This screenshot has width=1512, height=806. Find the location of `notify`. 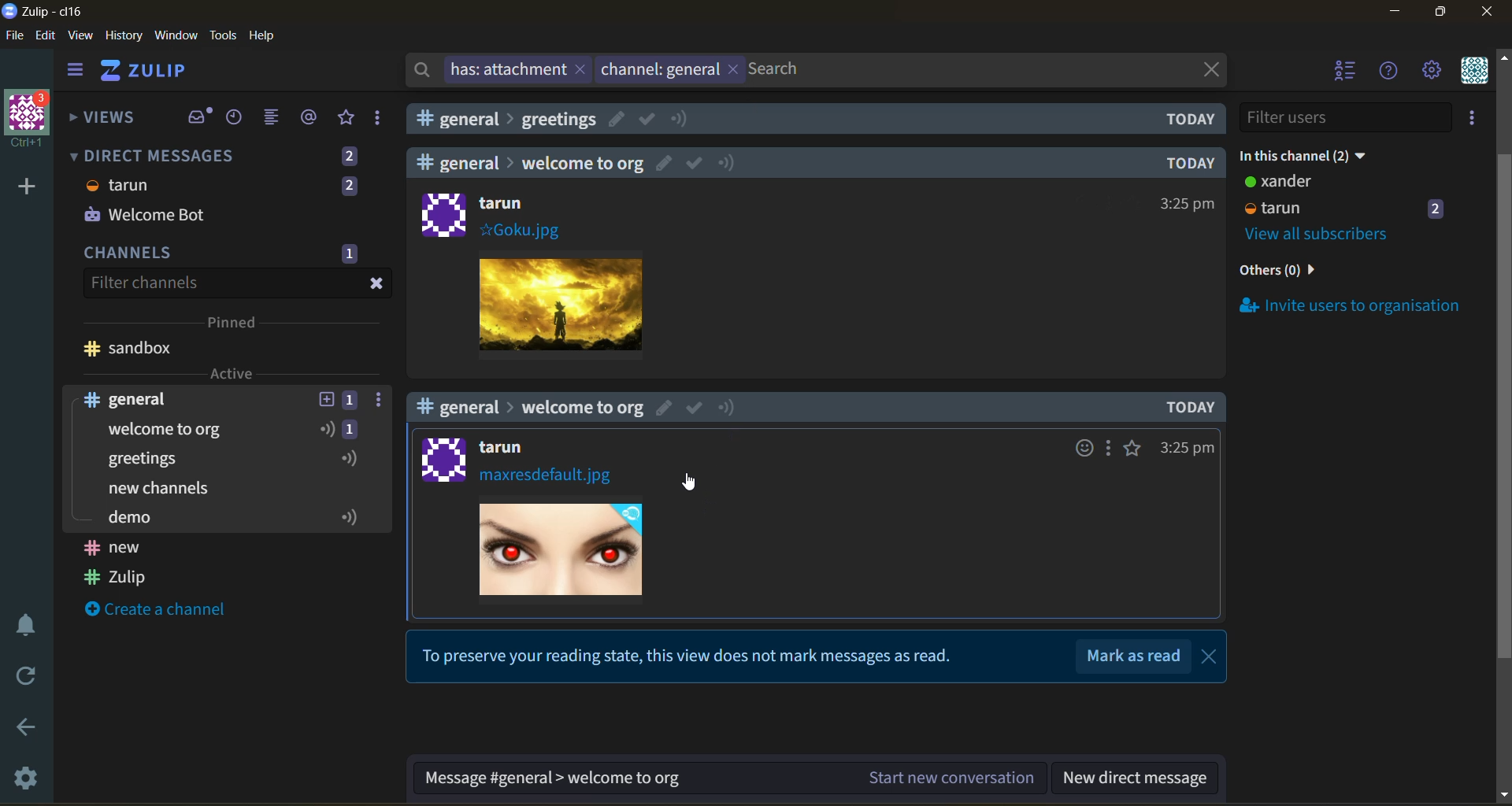

notify is located at coordinates (728, 161).